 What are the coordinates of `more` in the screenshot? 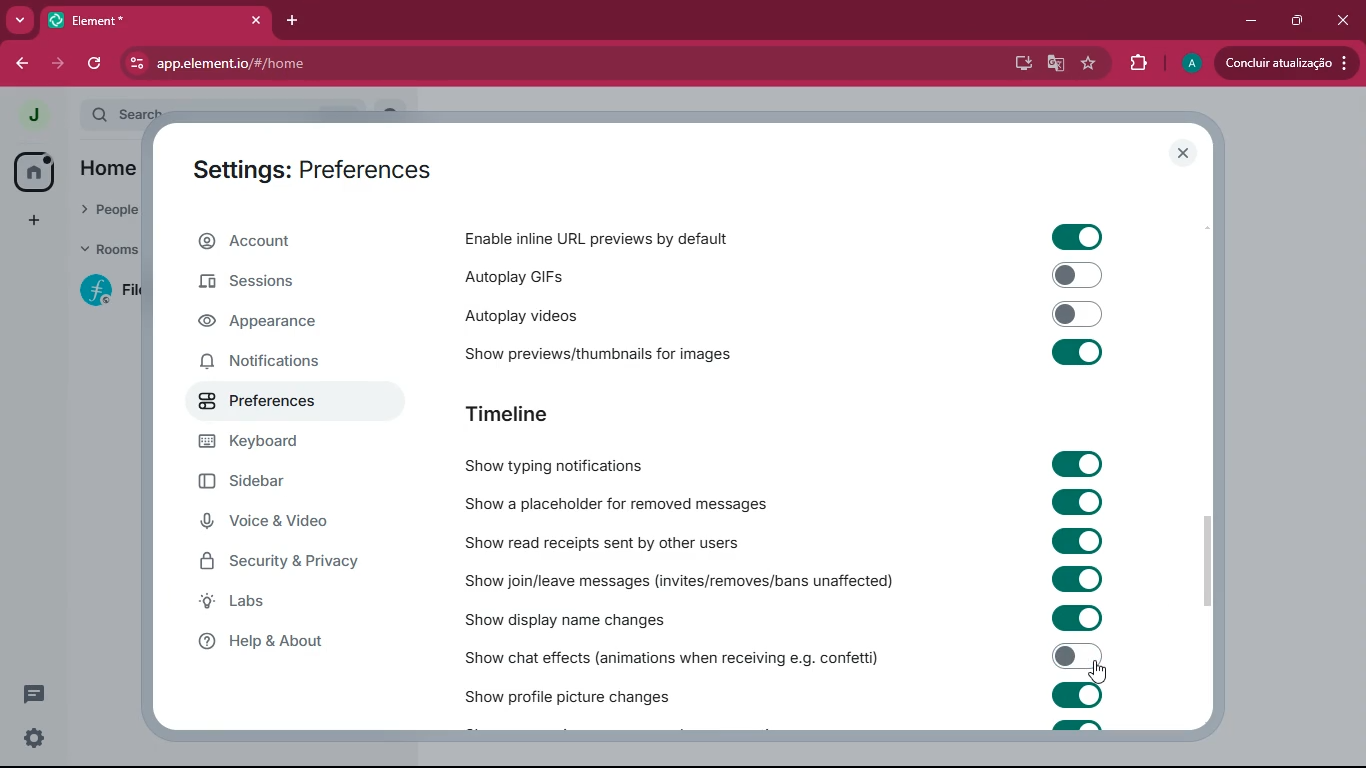 It's located at (32, 218).